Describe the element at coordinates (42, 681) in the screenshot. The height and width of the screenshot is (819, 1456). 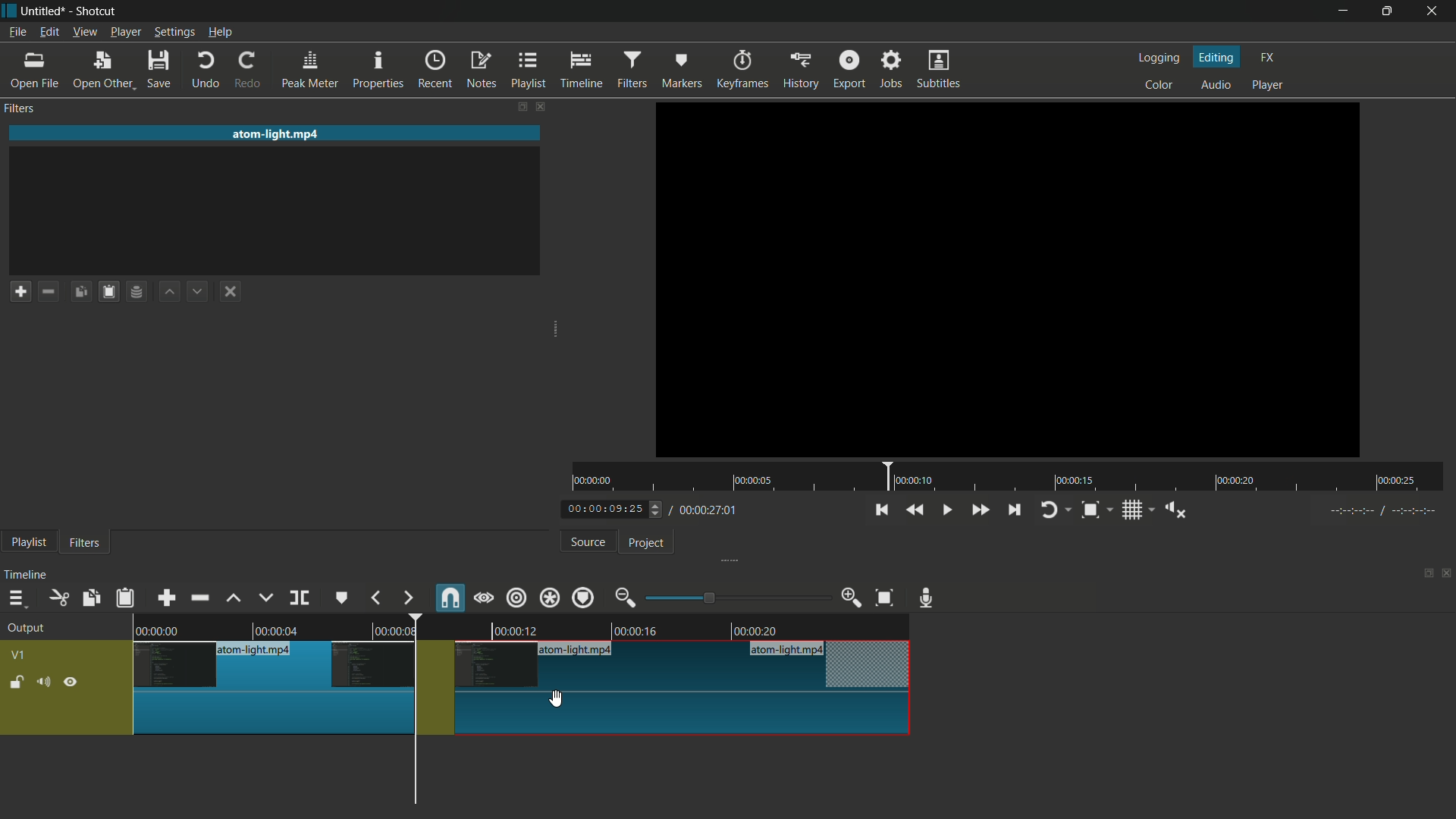
I see `mute` at that location.